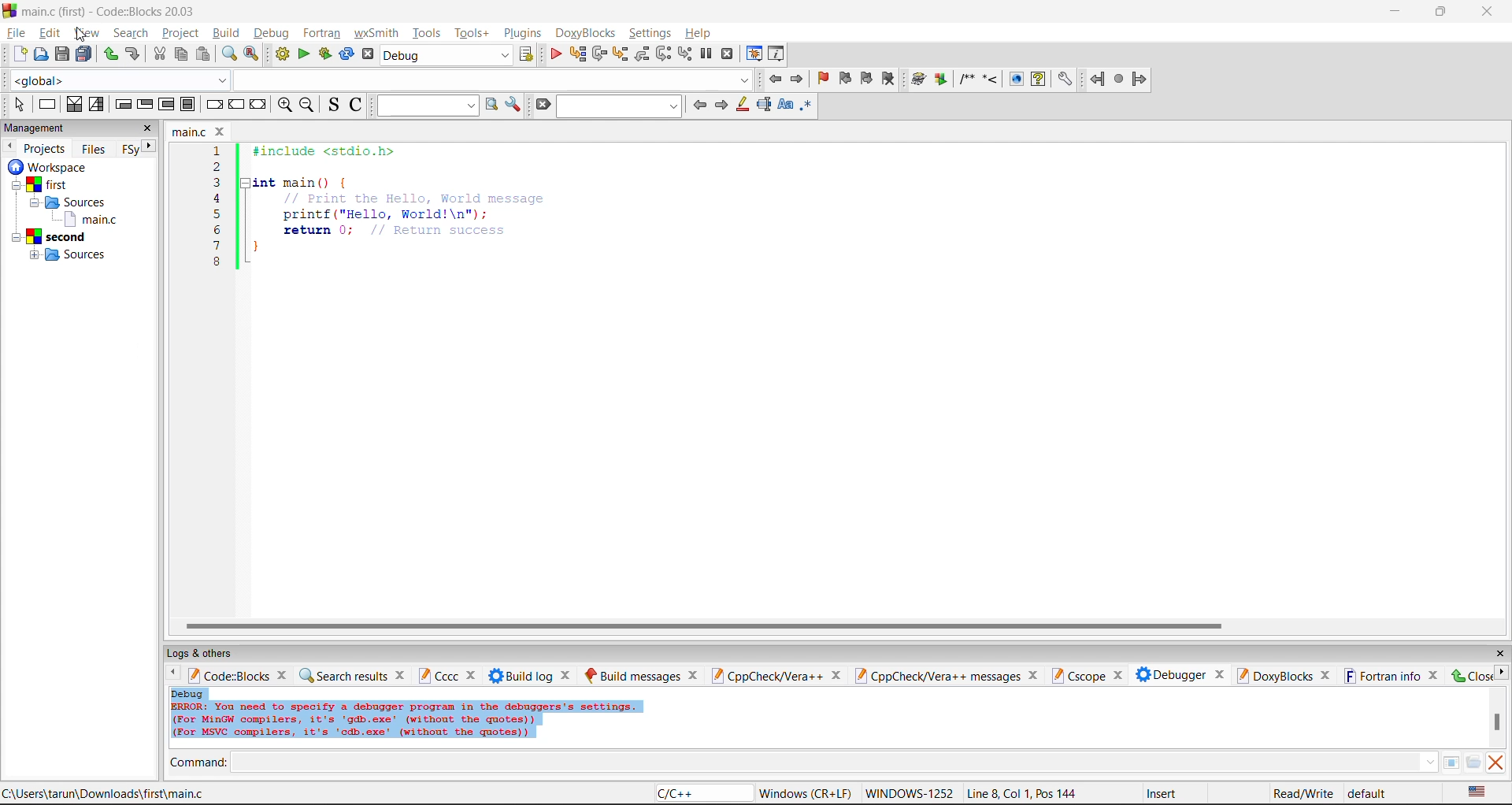 This screenshot has width=1512, height=805. I want to click on jump back, so click(1099, 79).